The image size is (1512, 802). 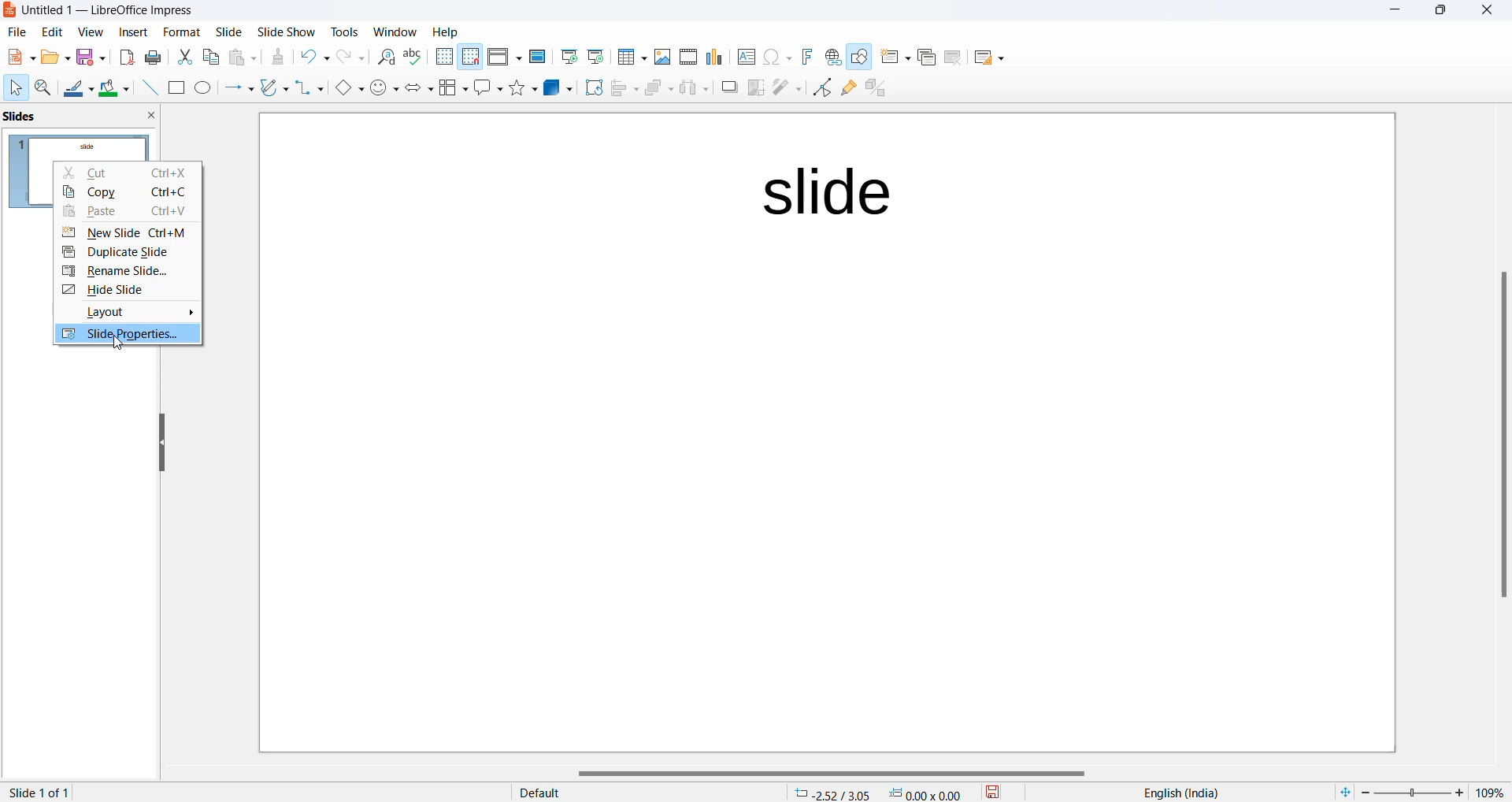 What do you see at coordinates (129, 315) in the screenshot?
I see `layout ` at bounding box center [129, 315].